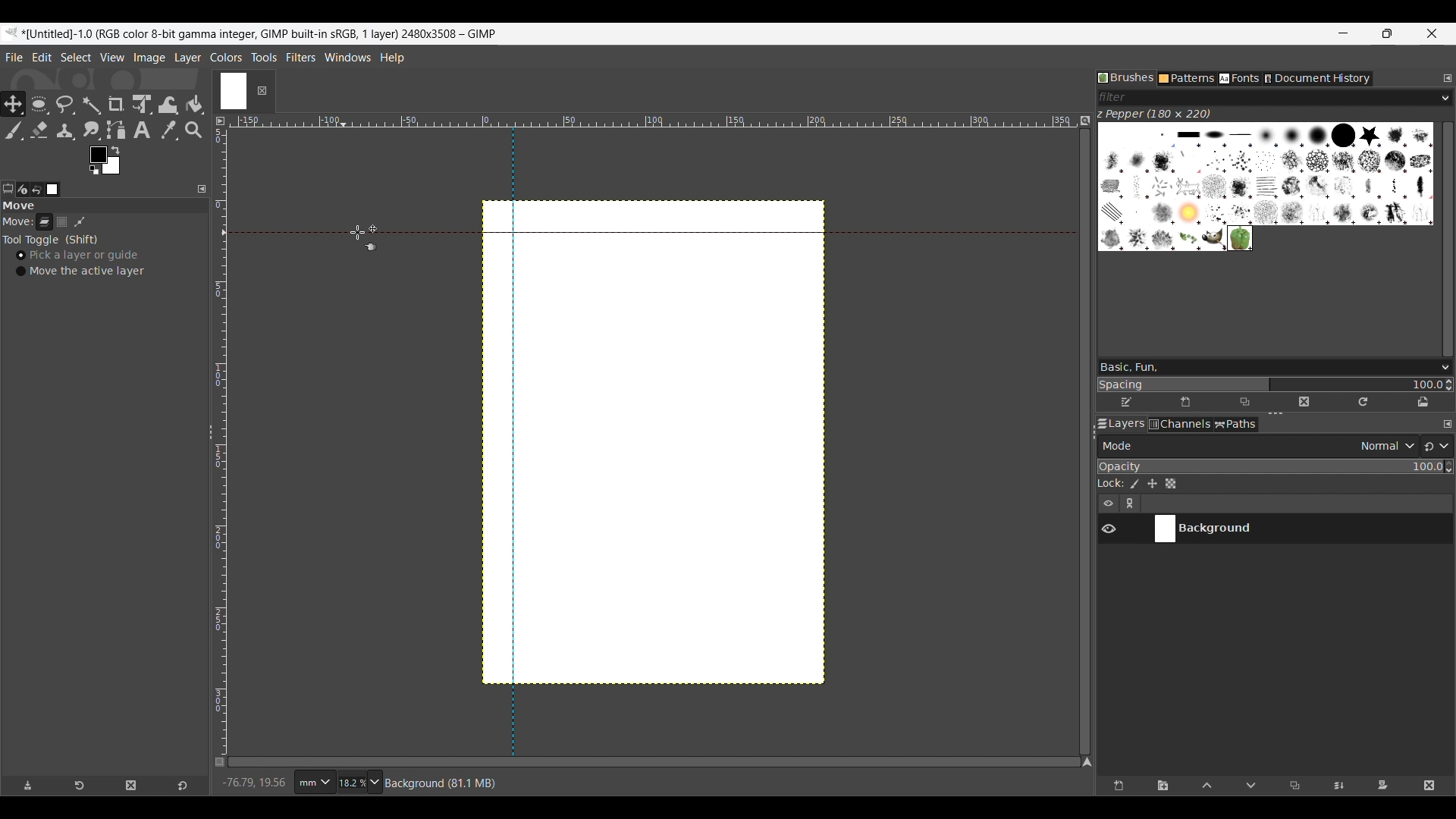 The height and width of the screenshot is (819, 1456). Describe the element at coordinates (111, 57) in the screenshot. I see `View menu` at that location.